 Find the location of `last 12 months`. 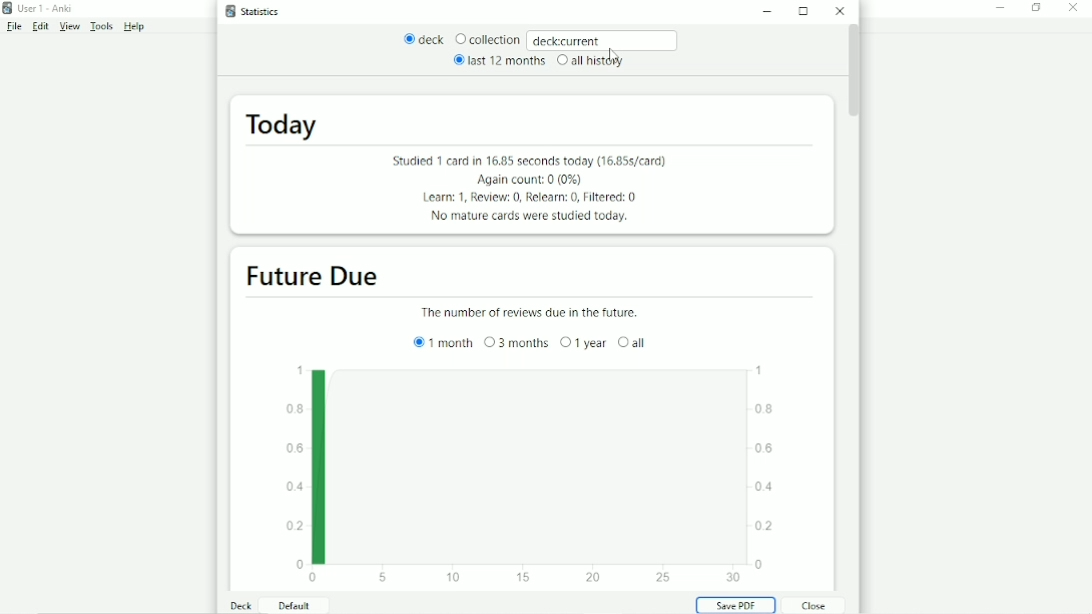

last 12 months is located at coordinates (496, 62).